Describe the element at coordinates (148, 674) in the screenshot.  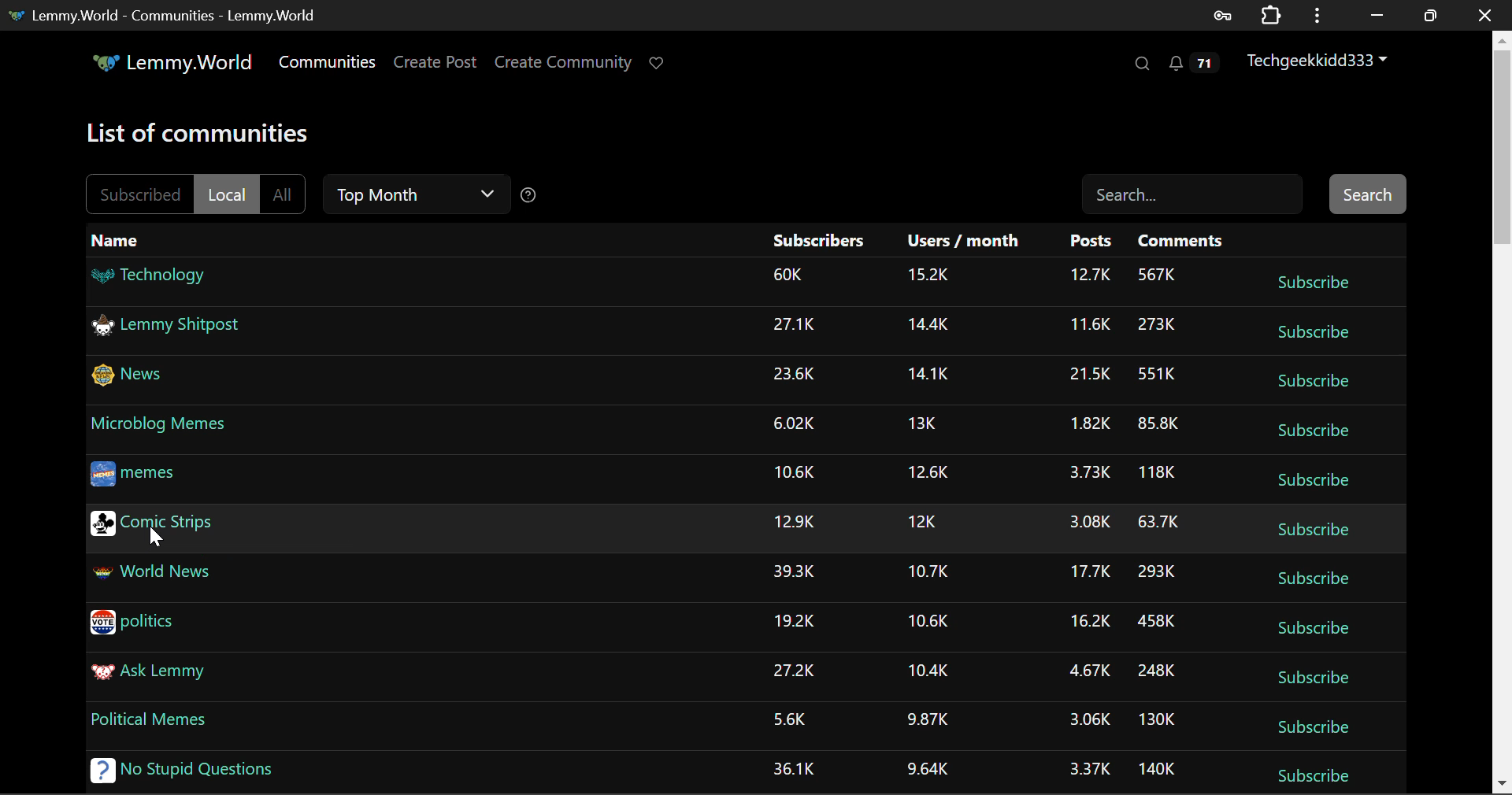
I see `Ask Lemmy` at that location.